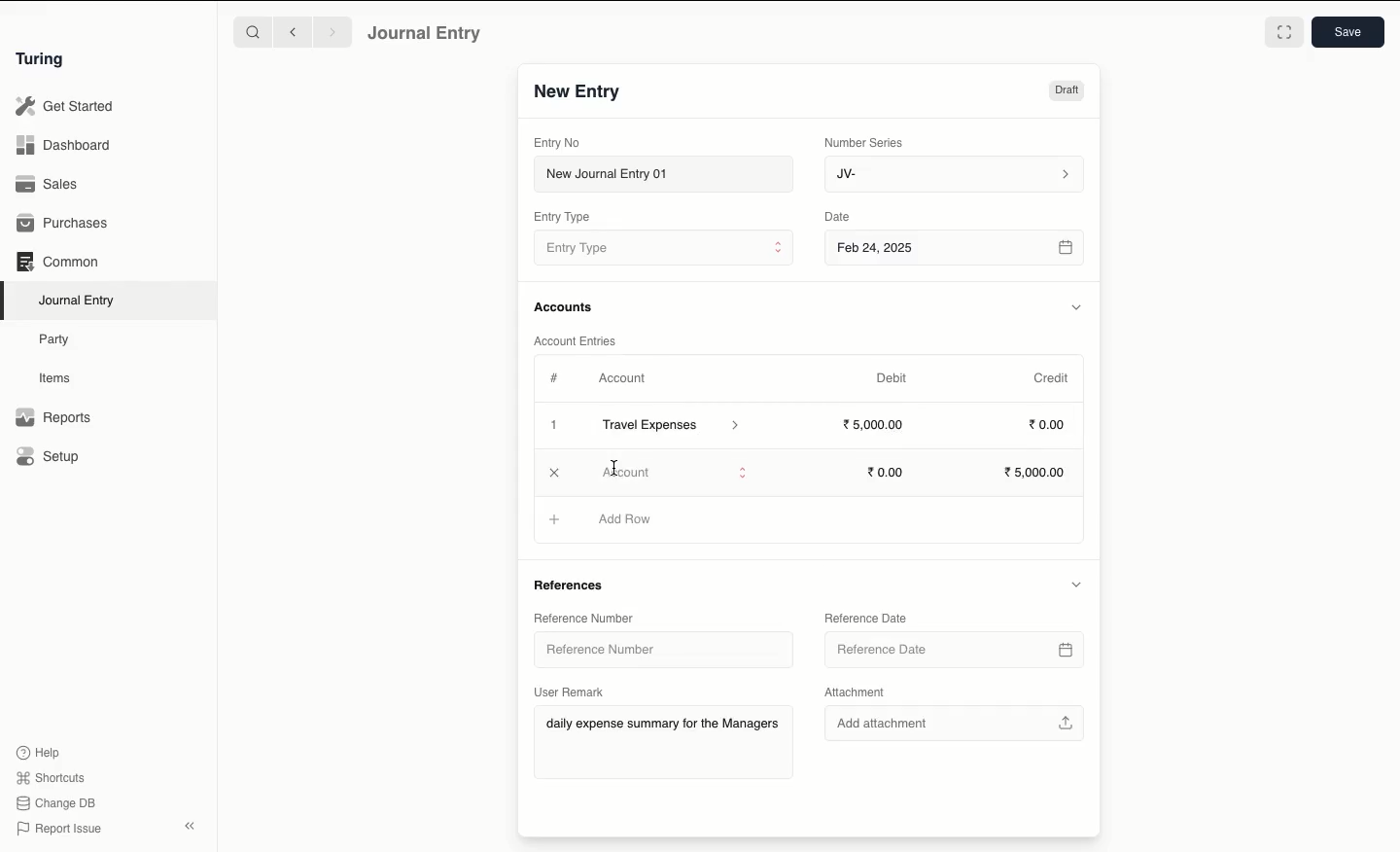 Image resolution: width=1400 pixels, height=852 pixels. What do you see at coordinates (53, 417) in the screenshot?
I see `Reports` at bounding box center [53, 417].